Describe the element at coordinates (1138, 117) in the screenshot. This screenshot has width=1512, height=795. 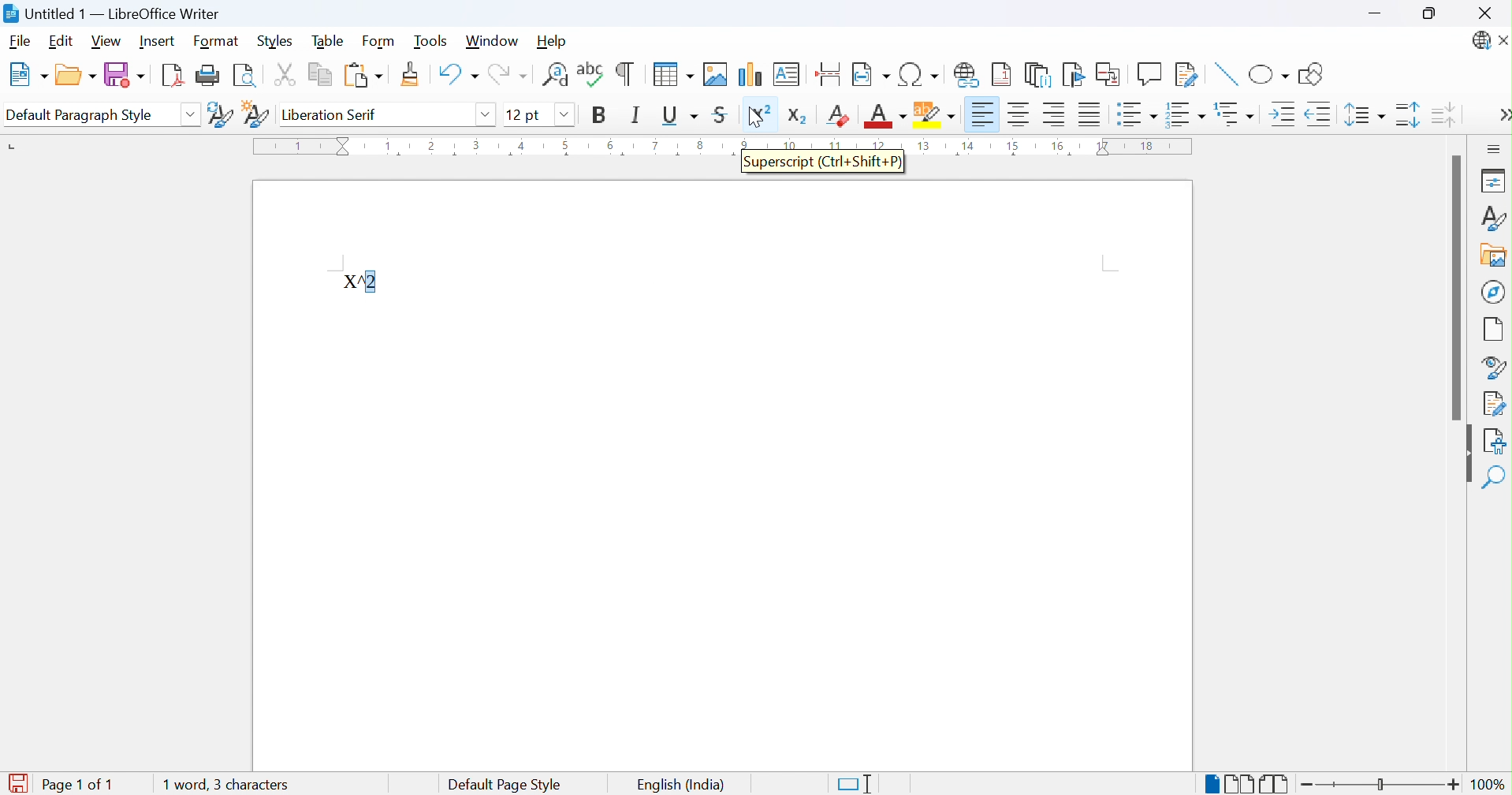
I see `Toggle unordered list` at that location.